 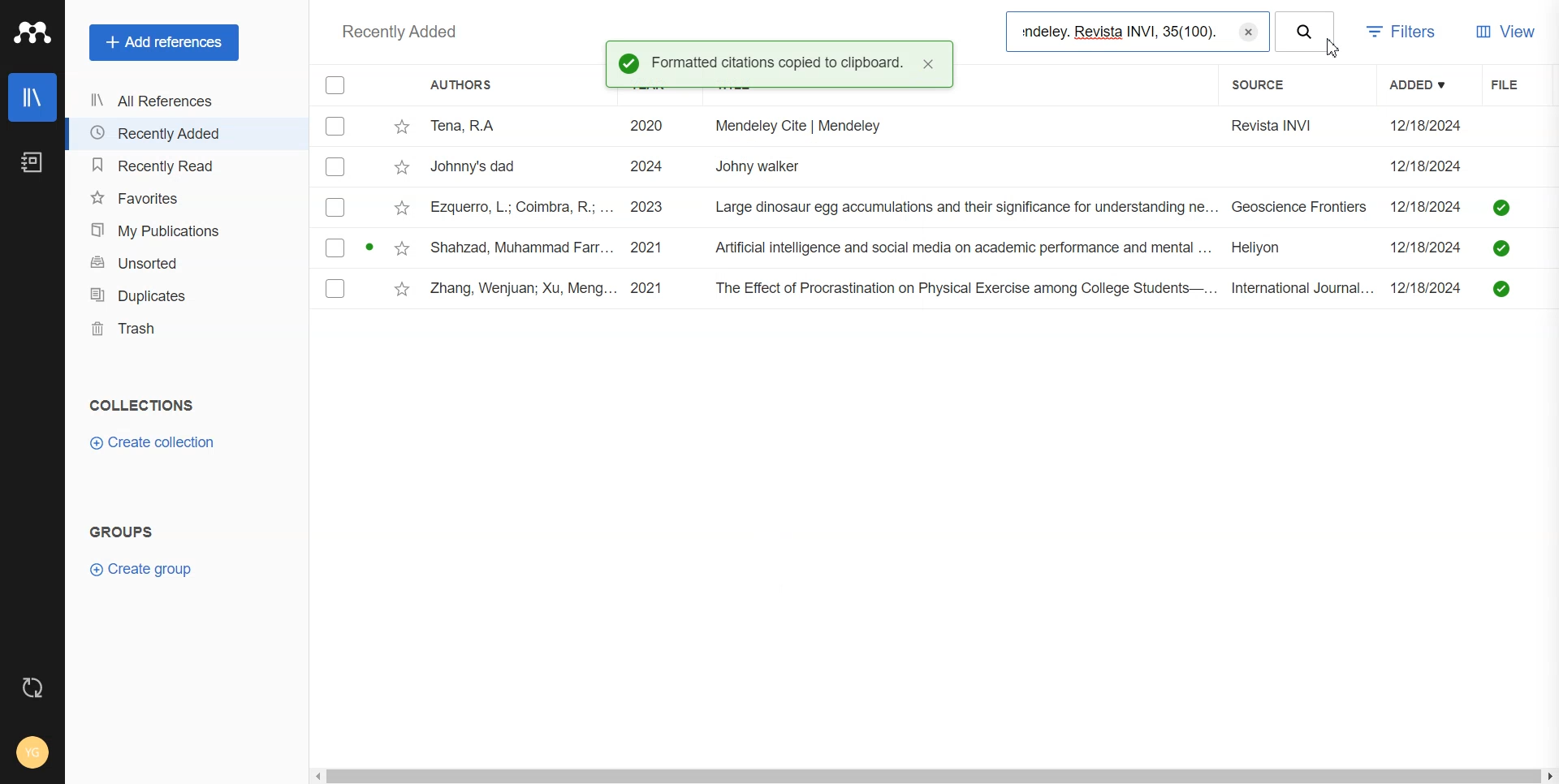 I want to click on Tena, RA 2020 i. Mendeley Cite | Mendeley Revista INVI, so click(x=892, y=129).